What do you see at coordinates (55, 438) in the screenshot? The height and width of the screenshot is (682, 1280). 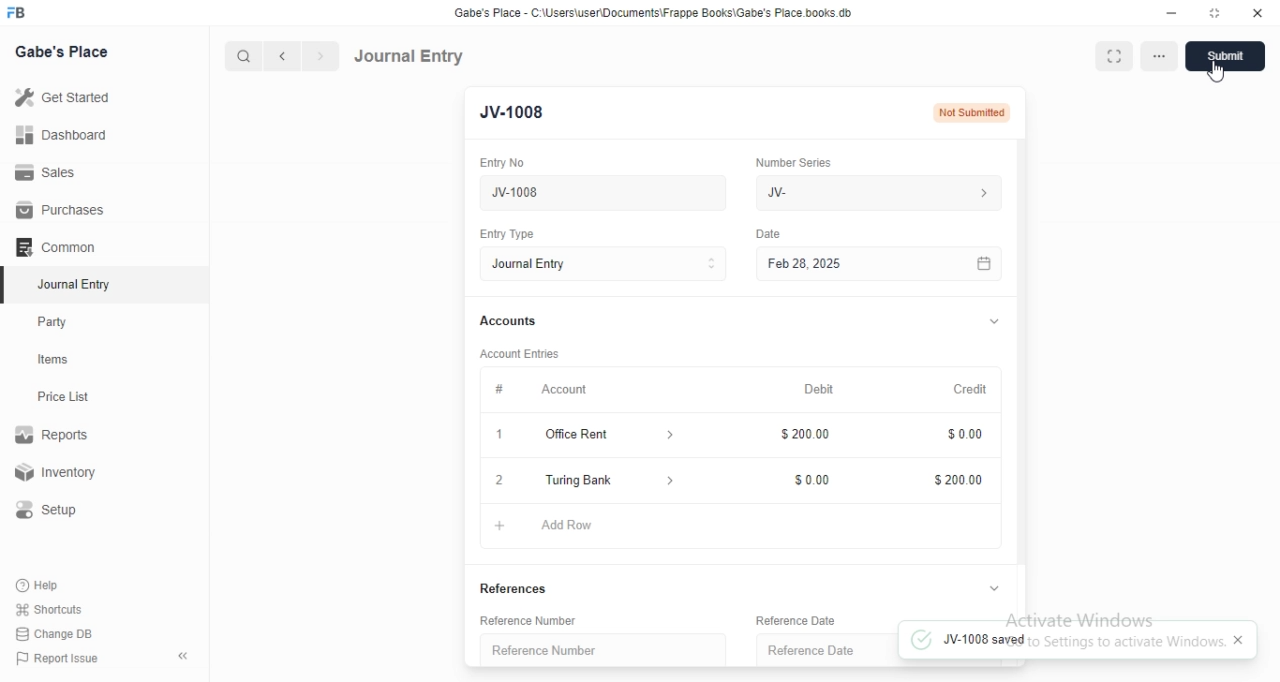 I see `Reports.` at bounding box center [55, 438].